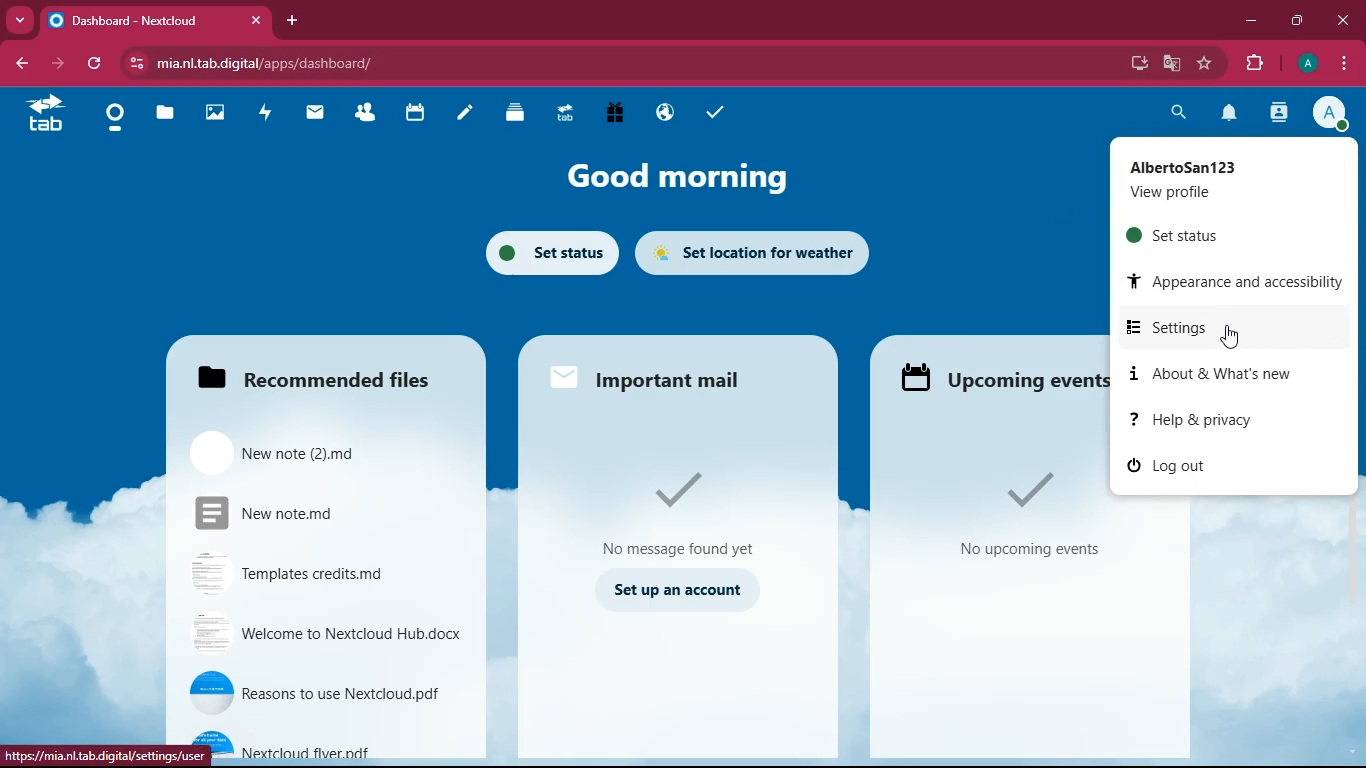 The width and height of the screenshot is (1366, 768). Describe the element at coordinates (1229, 419) in the screenshot. I see `help & privacy` at that location.